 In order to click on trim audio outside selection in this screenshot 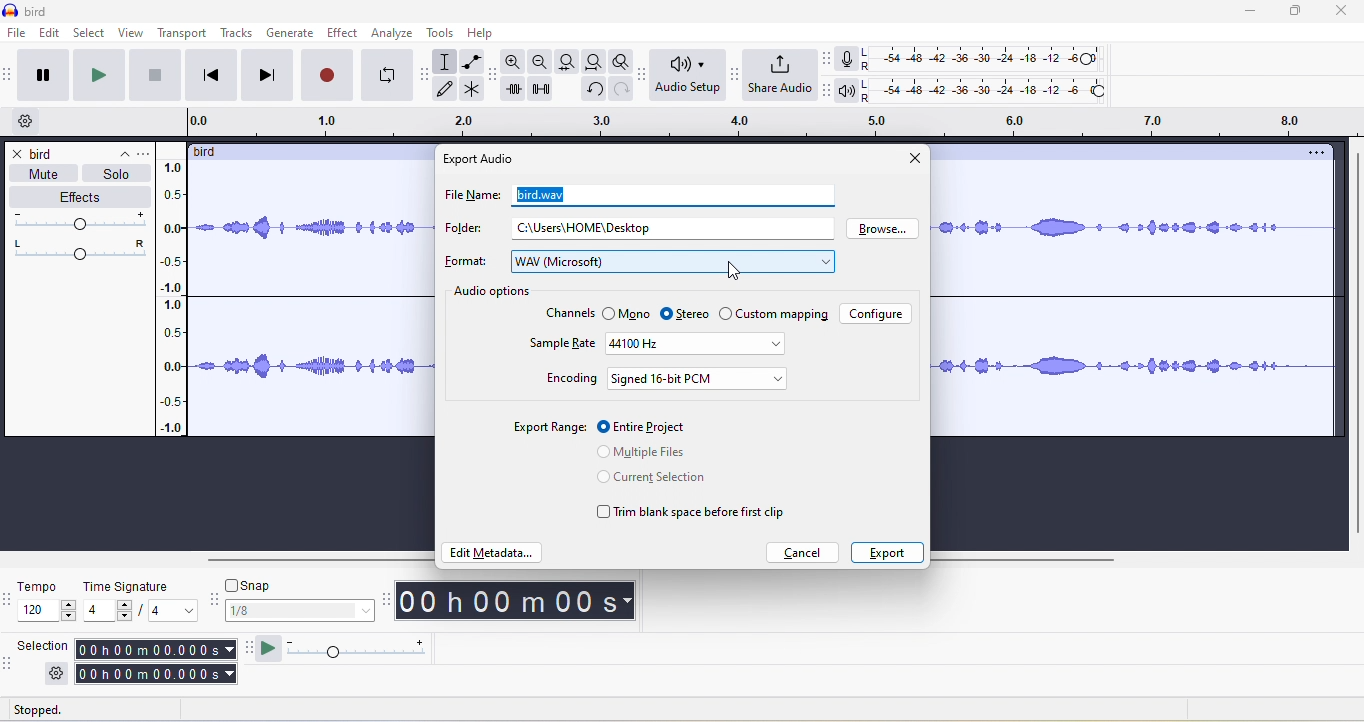, I will do `click(517, 92)`.